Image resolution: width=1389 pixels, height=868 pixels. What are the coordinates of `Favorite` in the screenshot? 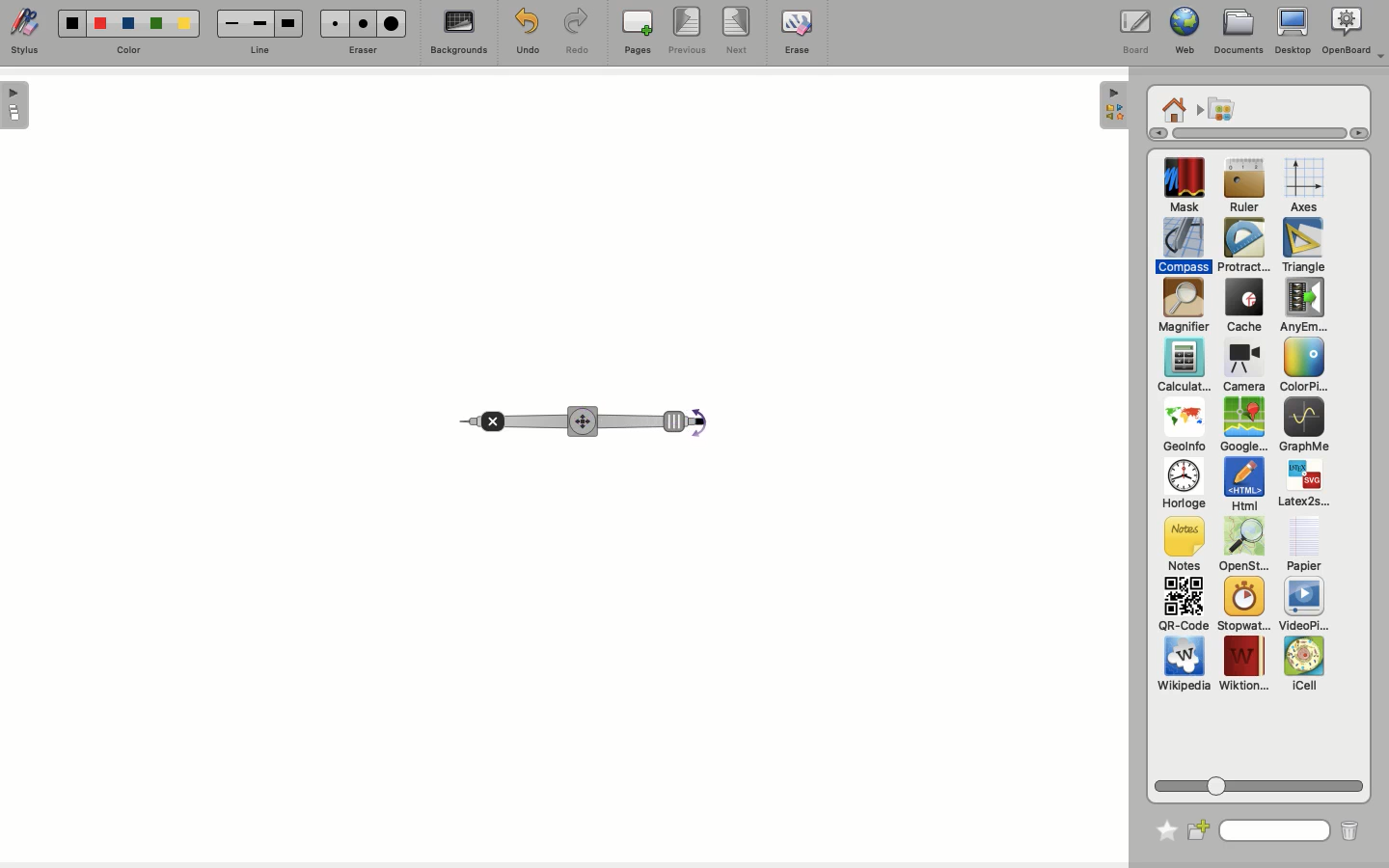 It's located at (1161, 827).